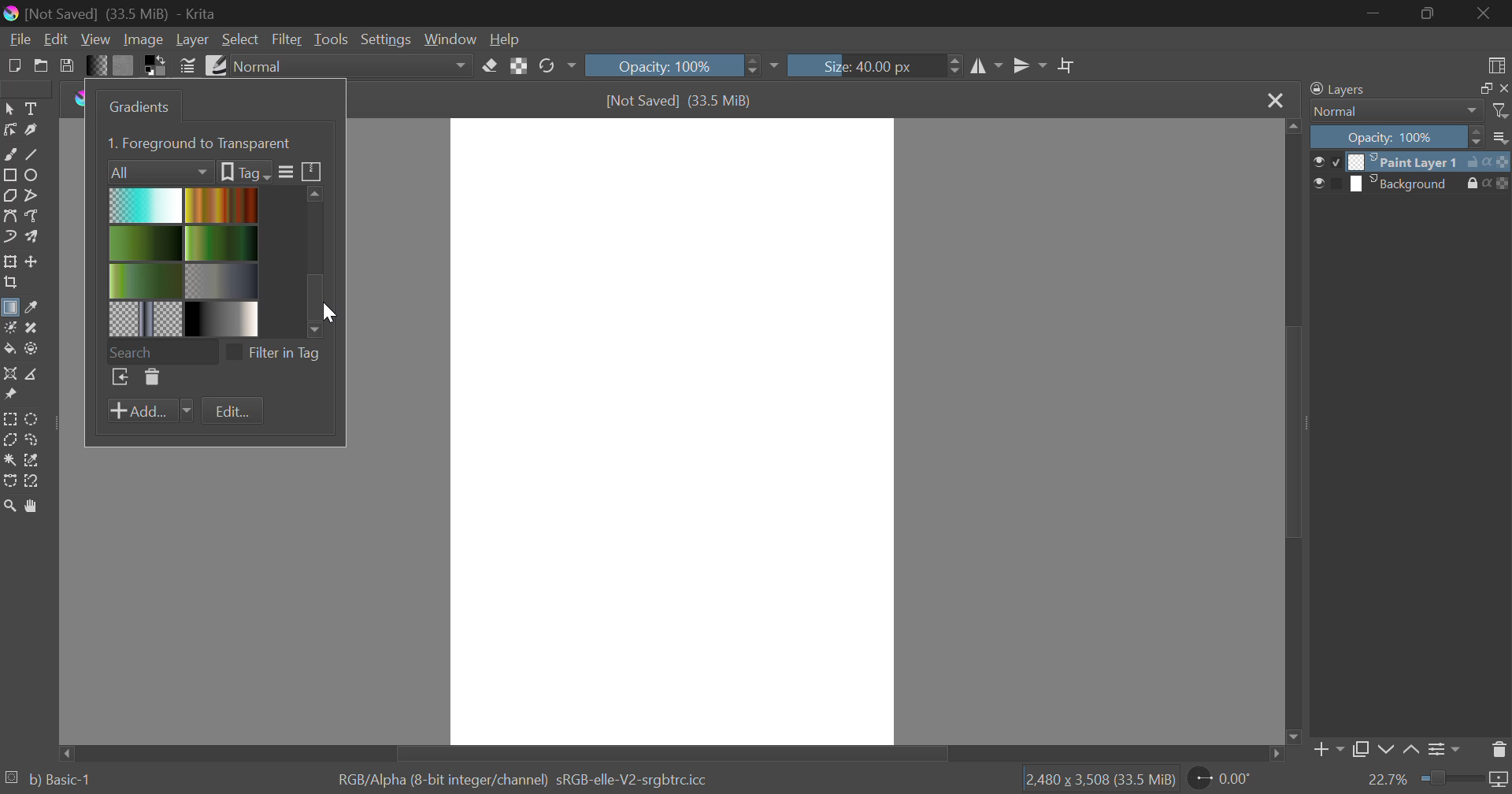 This screenshot has width=1512, height=794. What do you see at coordinates (1405, 184) in the screenshot?
I see `Background` at bounding box center [1405, 184].